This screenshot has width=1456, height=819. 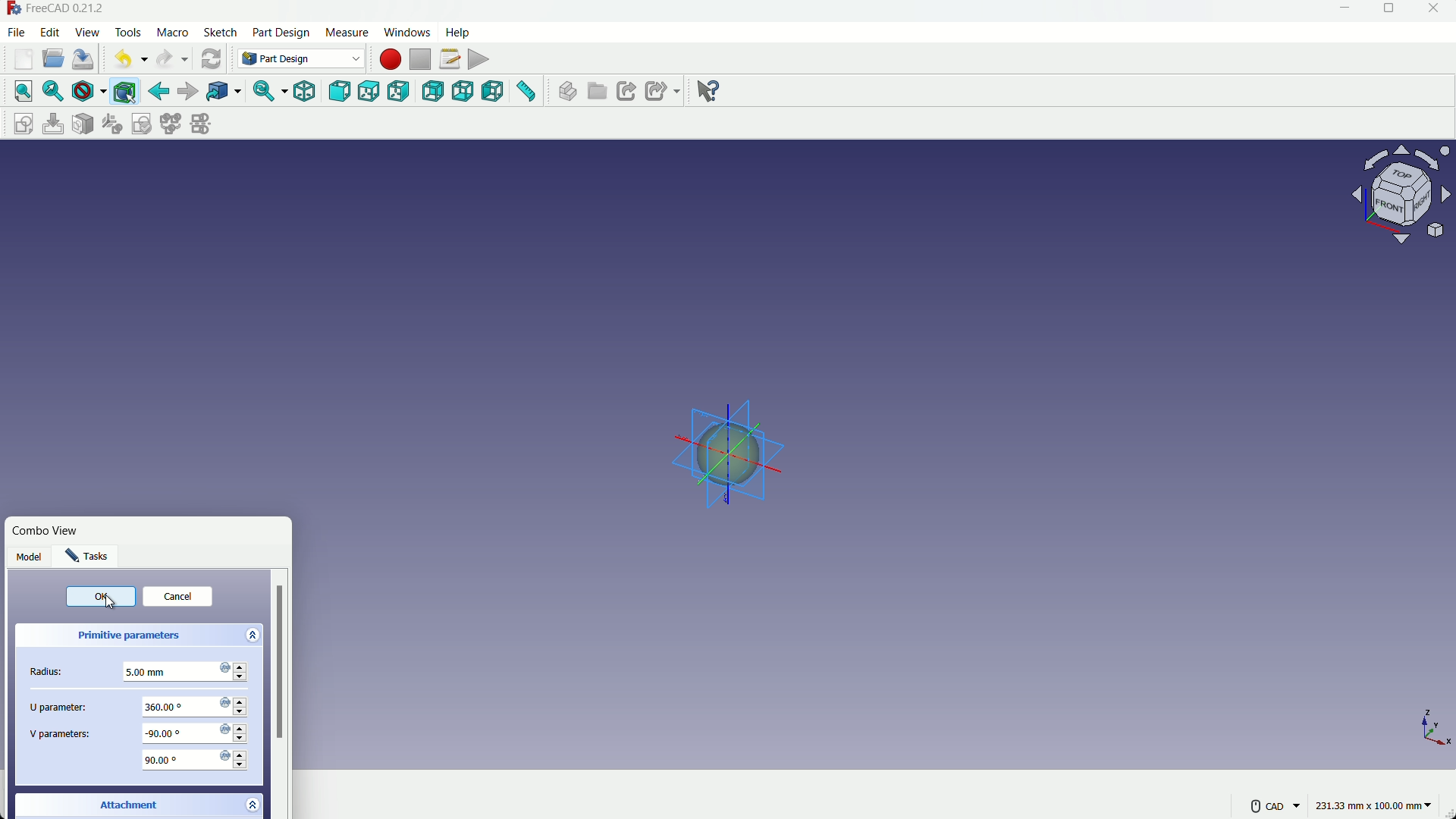 What do you see at coordinates (24, 123) in the screenshot?
I see `create sketch` at bounding box center [24, 123].